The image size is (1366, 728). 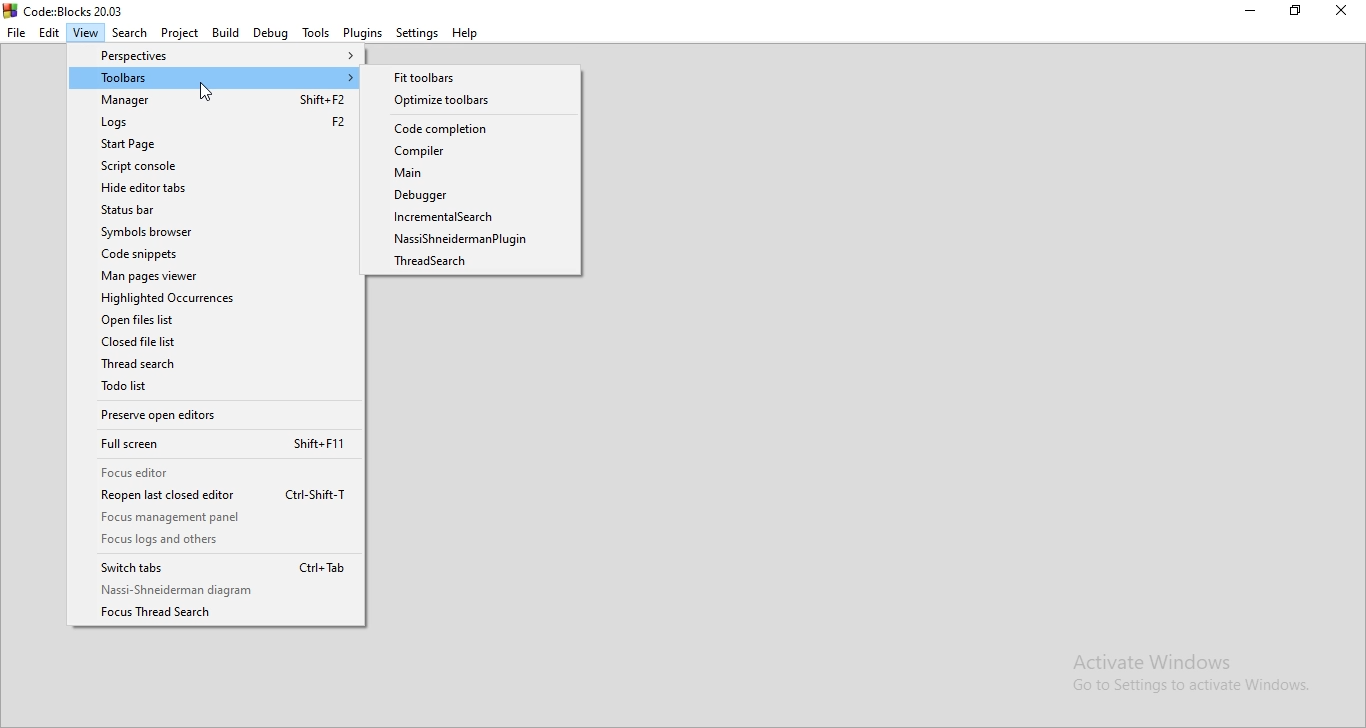 What do you see at coordinates (218, 590) in the screenshot?
I see `Nas-Shneiderman diagram` at bounding box center [218, 590].